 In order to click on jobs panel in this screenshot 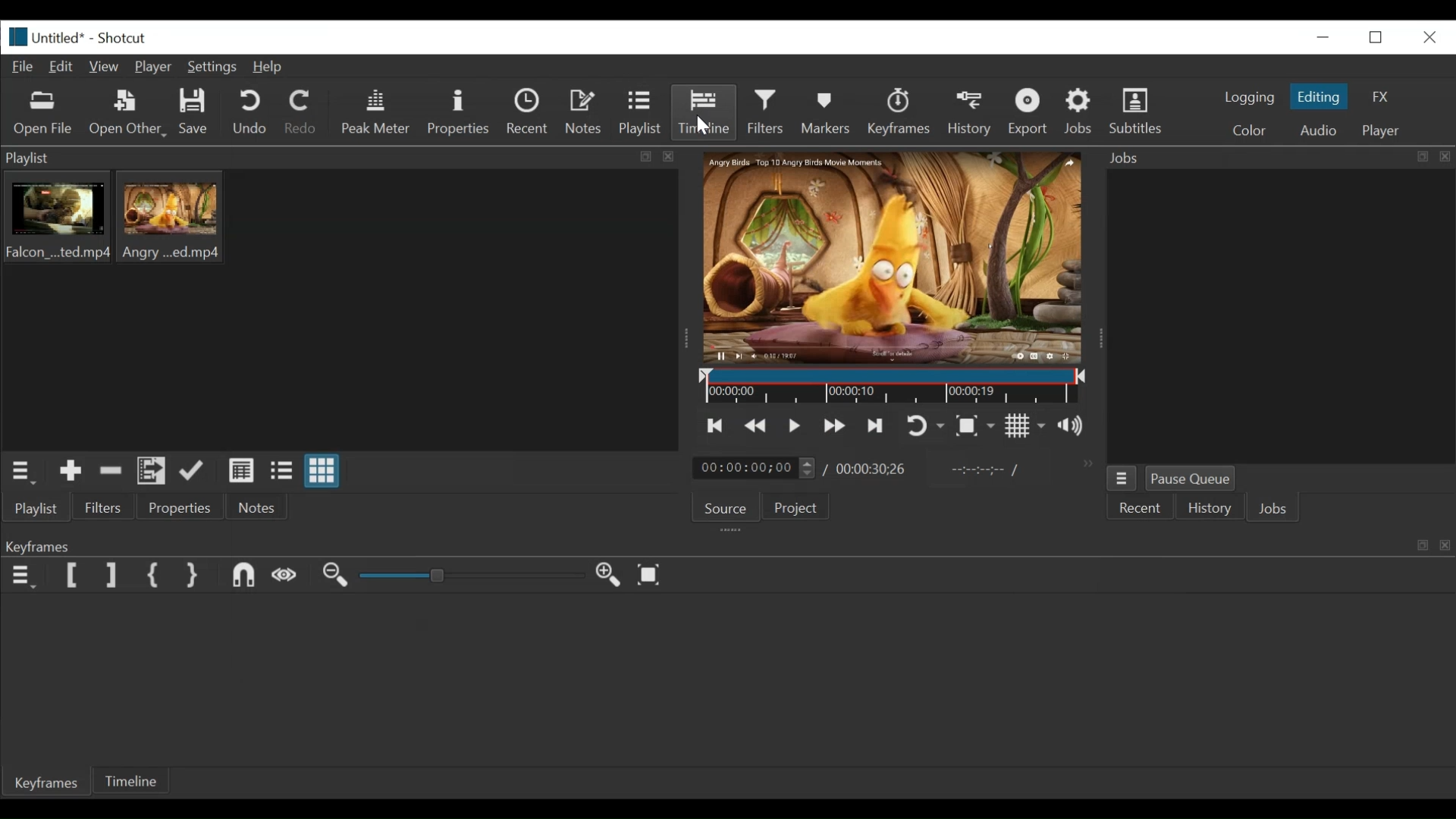, I will do `click(1280, 315)`.